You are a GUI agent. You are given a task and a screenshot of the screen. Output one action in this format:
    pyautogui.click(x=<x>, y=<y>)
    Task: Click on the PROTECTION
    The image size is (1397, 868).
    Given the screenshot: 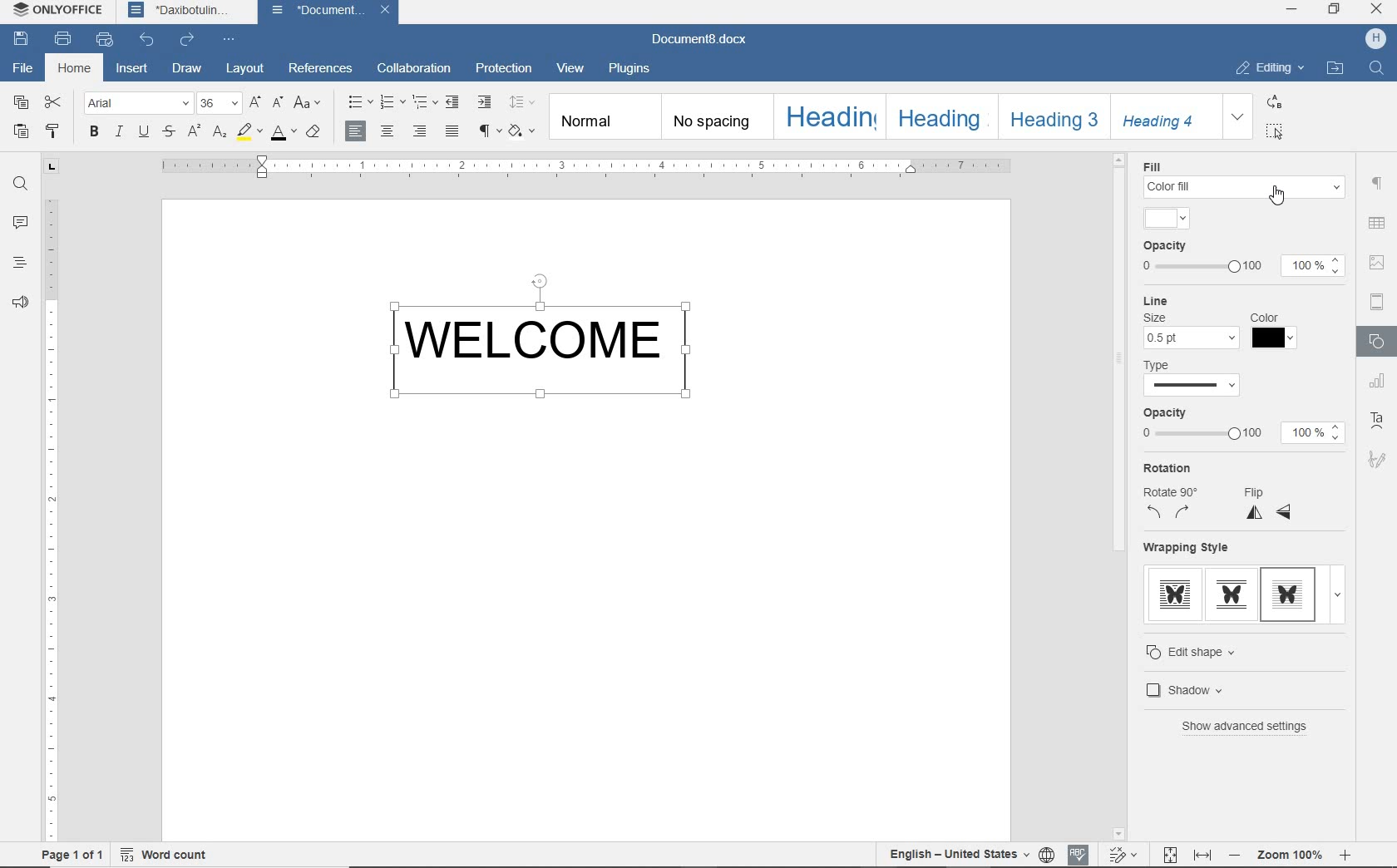 What is the action you would take?
    pyautogui.click(x=504, y=69)
    